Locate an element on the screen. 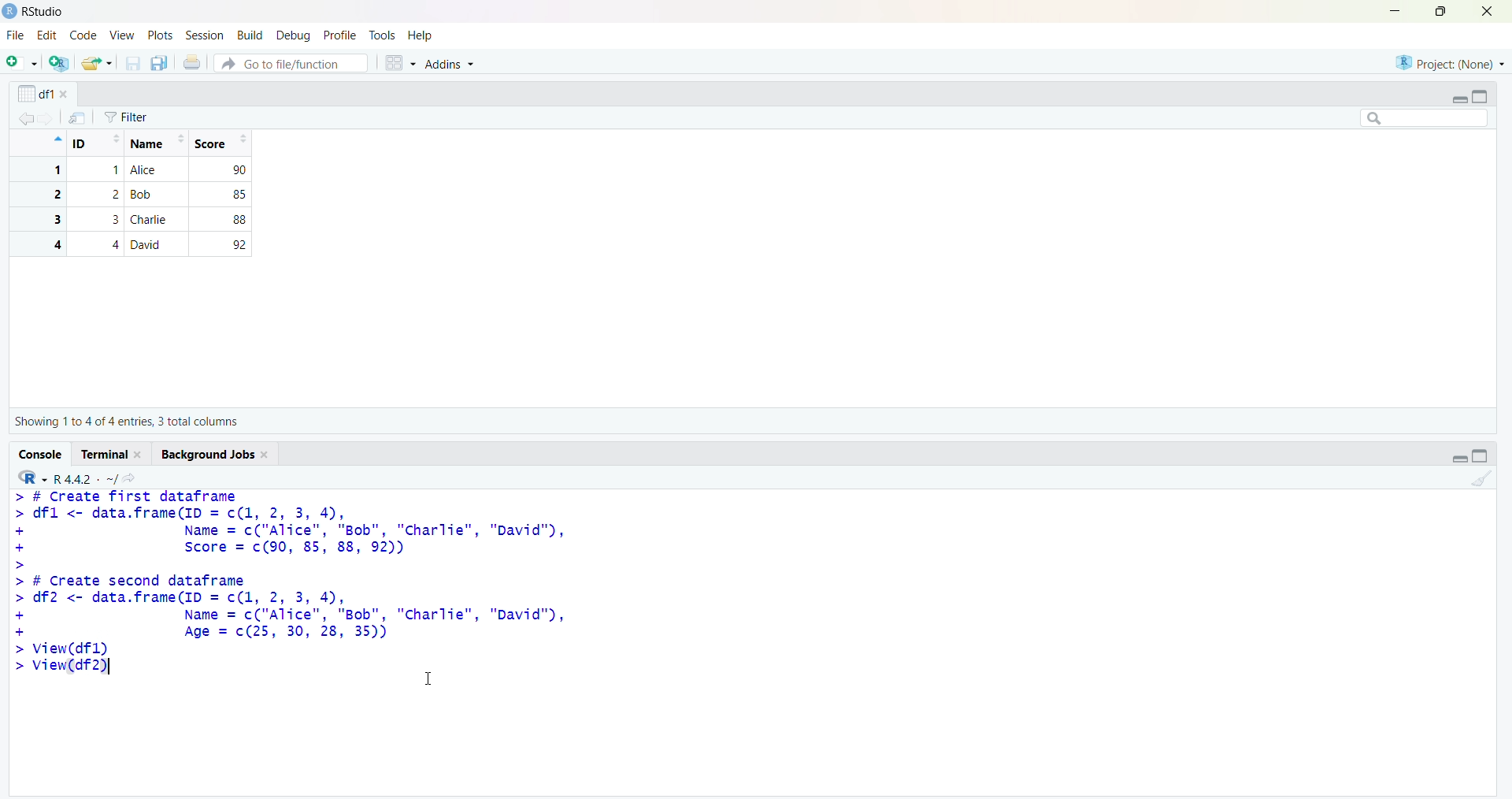  share icon is located at coordinates (130, 478).